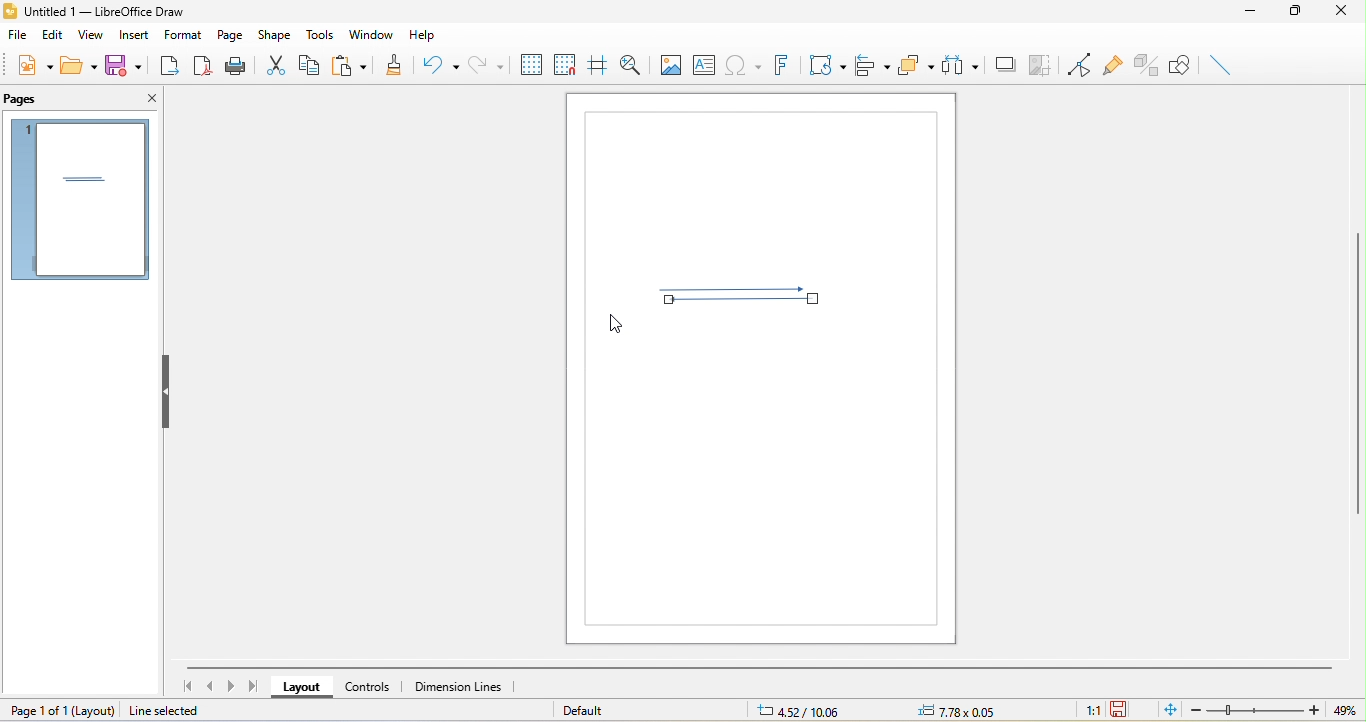 This screenshot has width=1366, height=722. I want to click on zoom and pan, so click(628, 63).